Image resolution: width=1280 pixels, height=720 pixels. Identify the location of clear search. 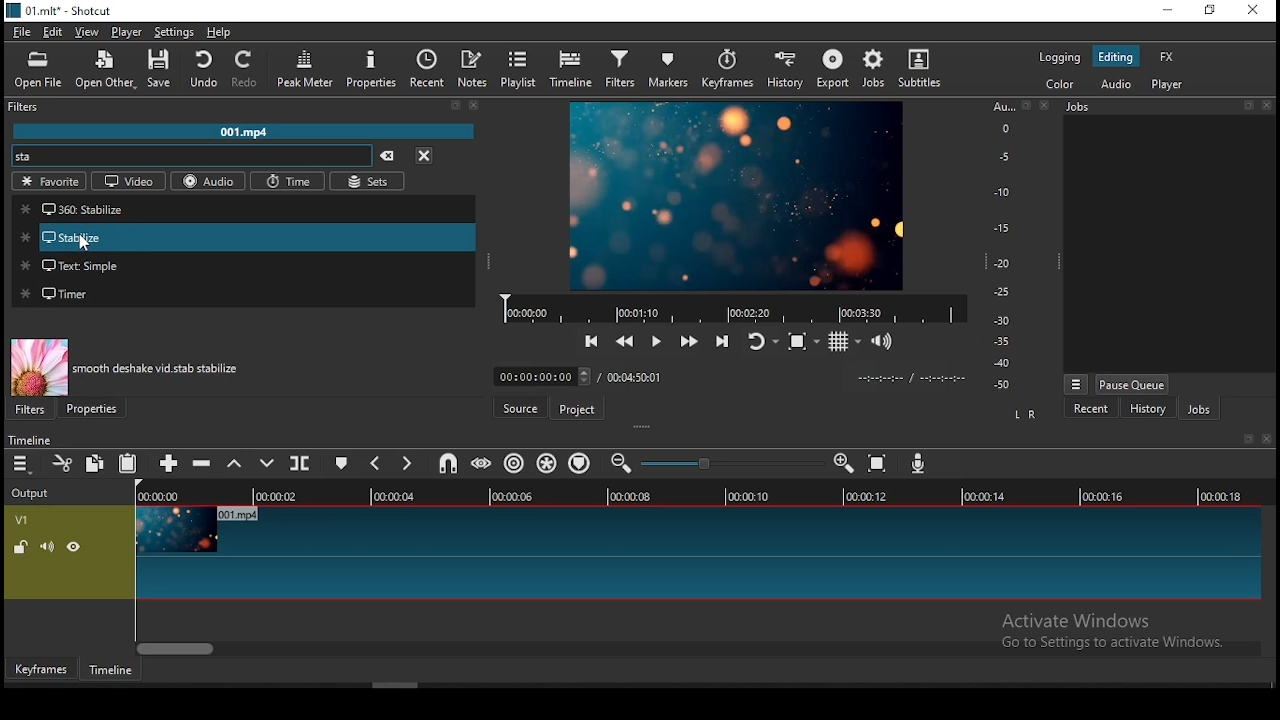
(455, 104).